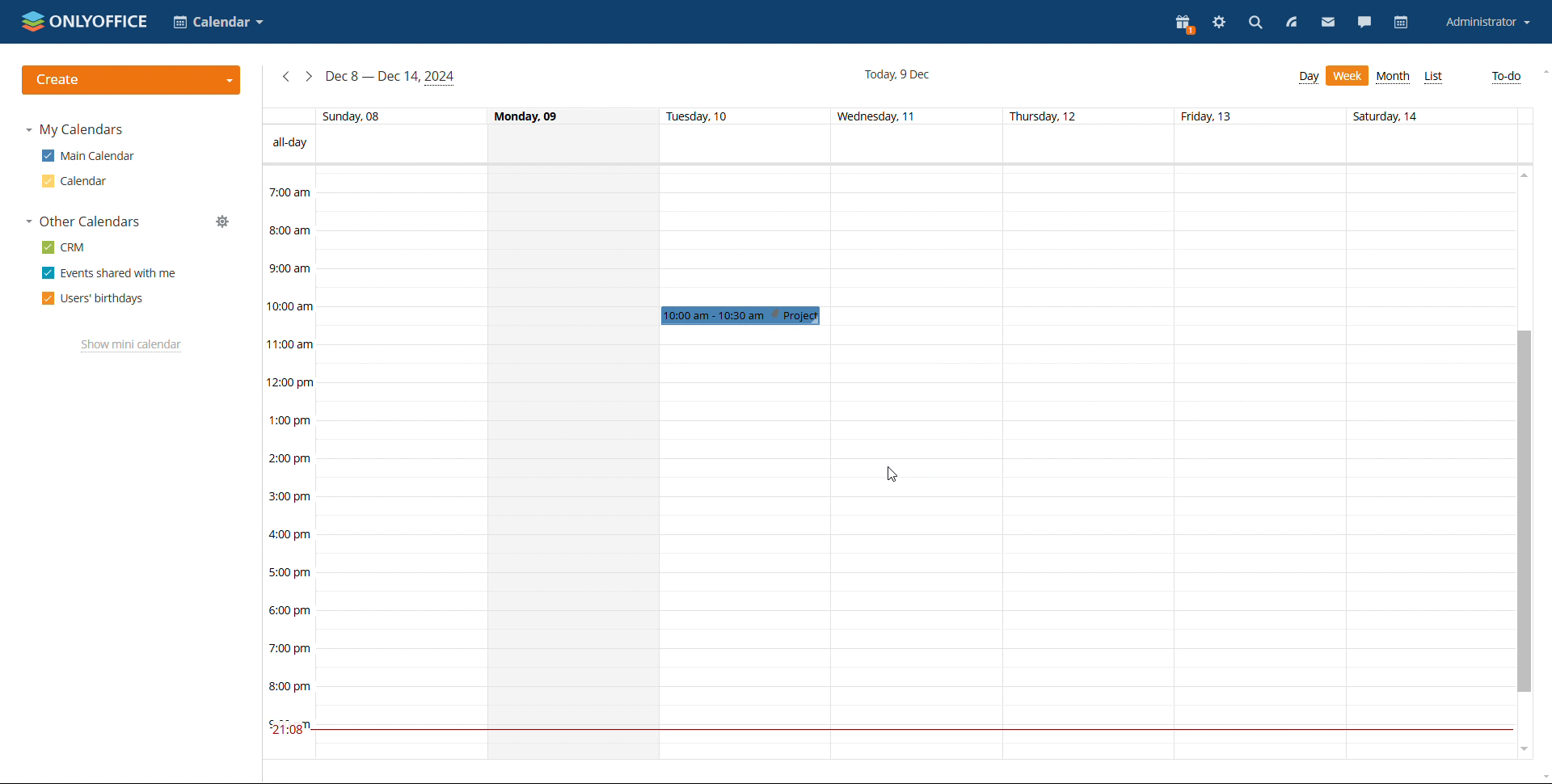 This screenshot has height=784, width=1552. Describe the element at coordinates (86, 21) in the screenshot. I see `onlyoffice` at that location.